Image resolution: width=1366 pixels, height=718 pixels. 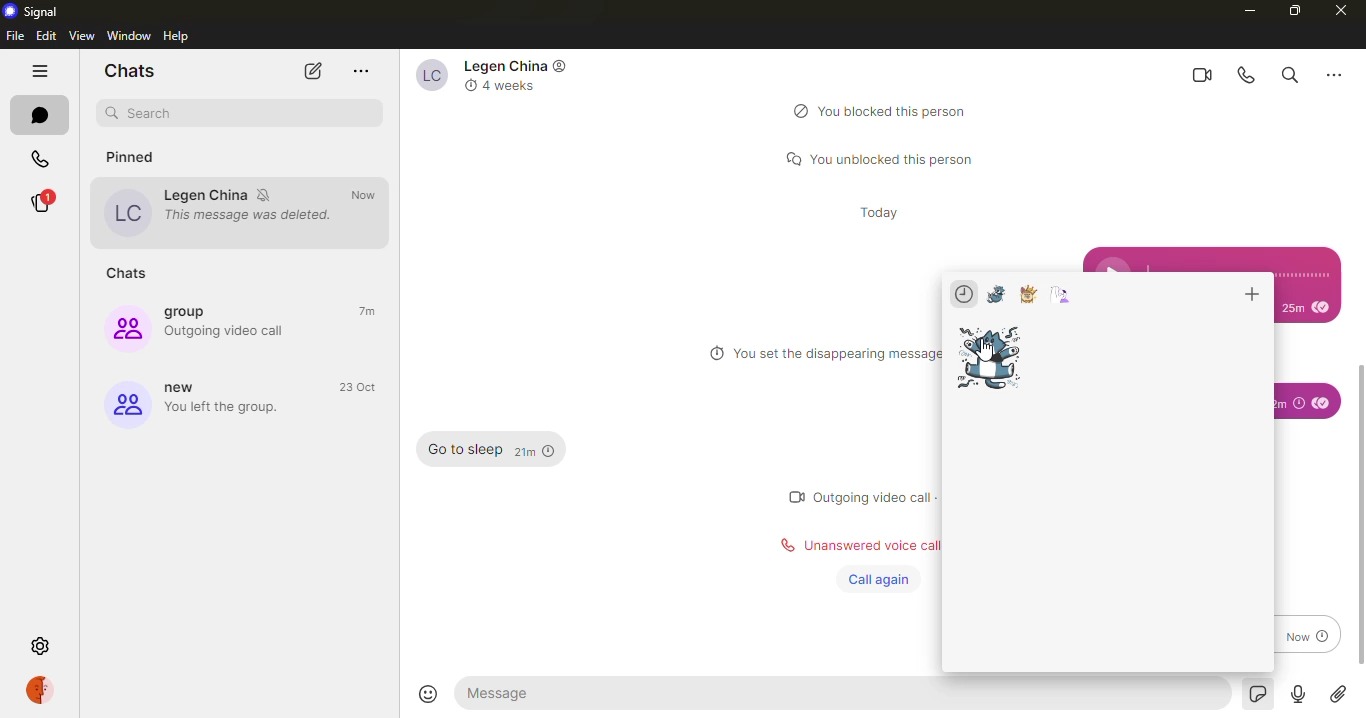 I want to click on This message was deleted., so click(x=252, y=216).